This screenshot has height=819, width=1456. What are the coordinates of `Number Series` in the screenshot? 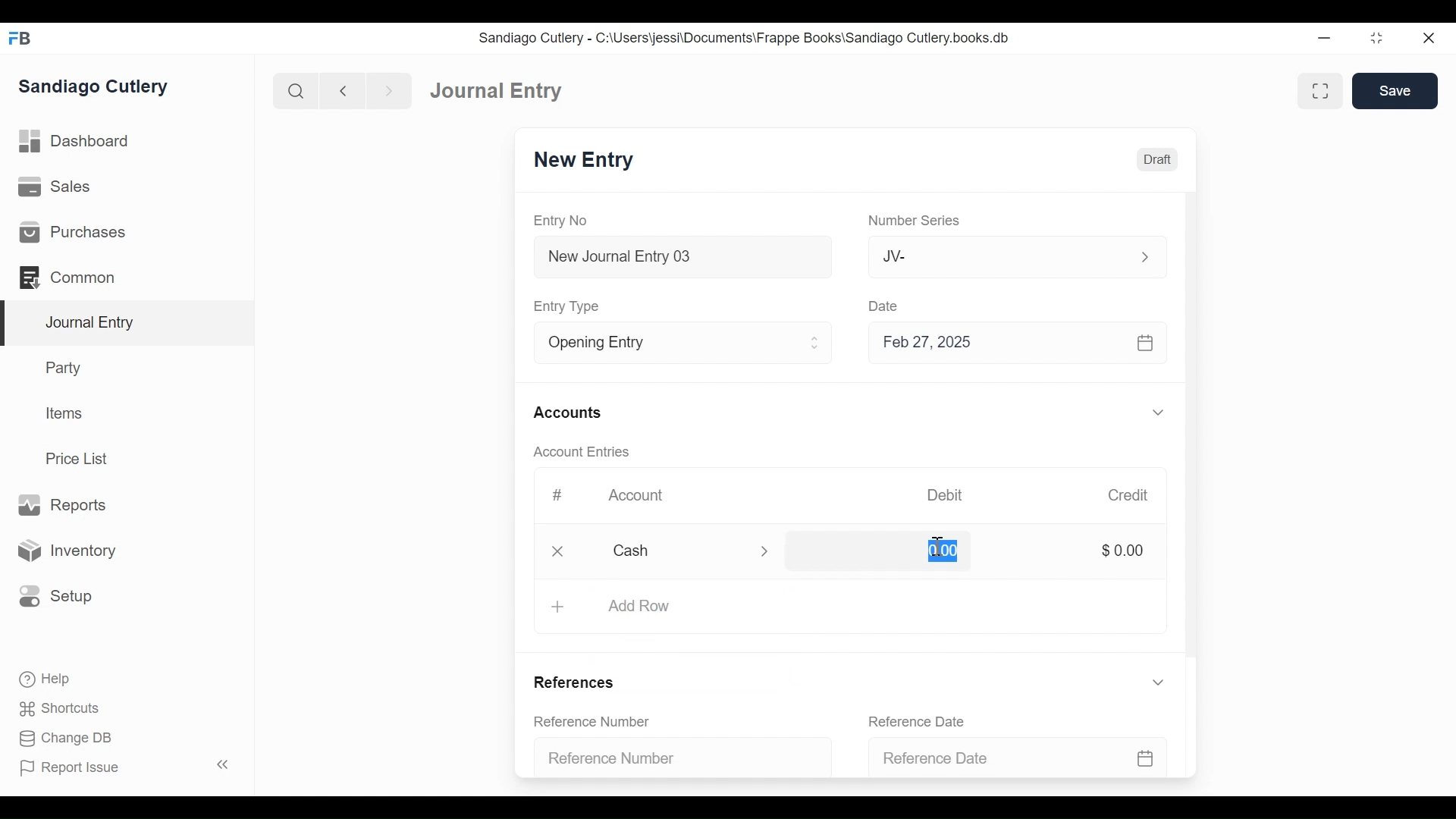 It's located at (912, 221).